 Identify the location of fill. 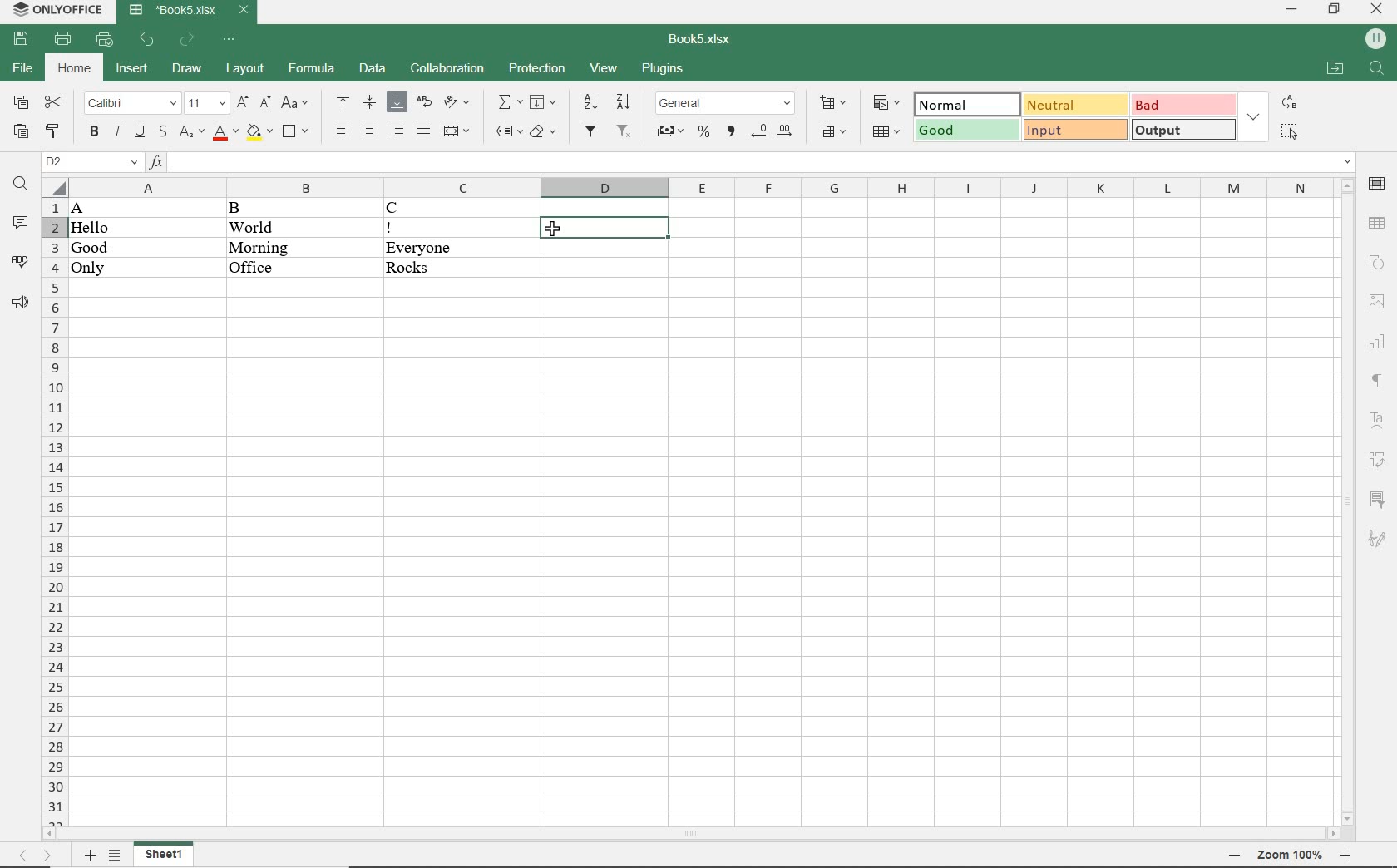
(544, 103).